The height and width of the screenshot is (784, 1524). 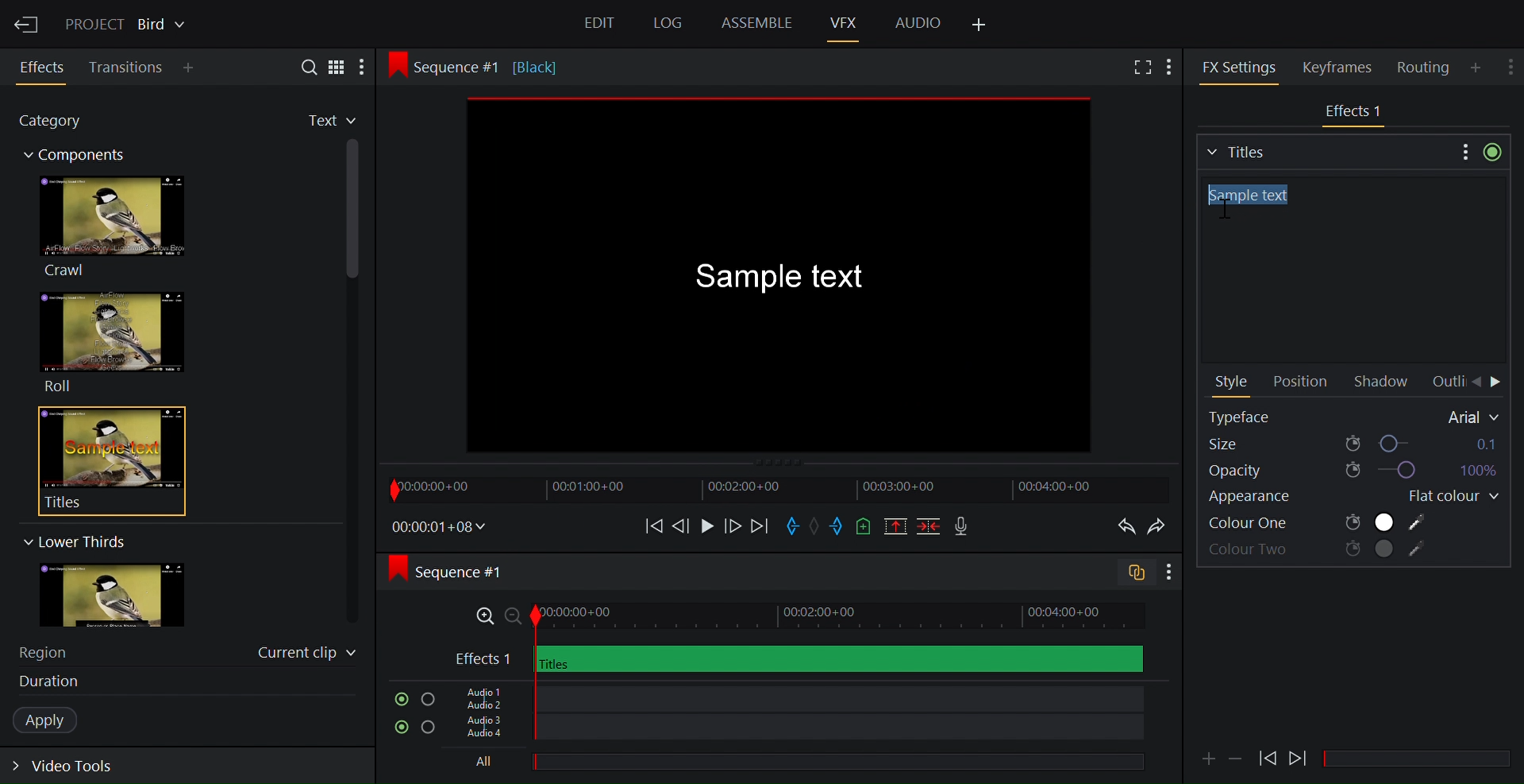 What do you see at coordinates (495, 66) in the screenshot?
I see `Sequence` at bounding box center [495, 66].